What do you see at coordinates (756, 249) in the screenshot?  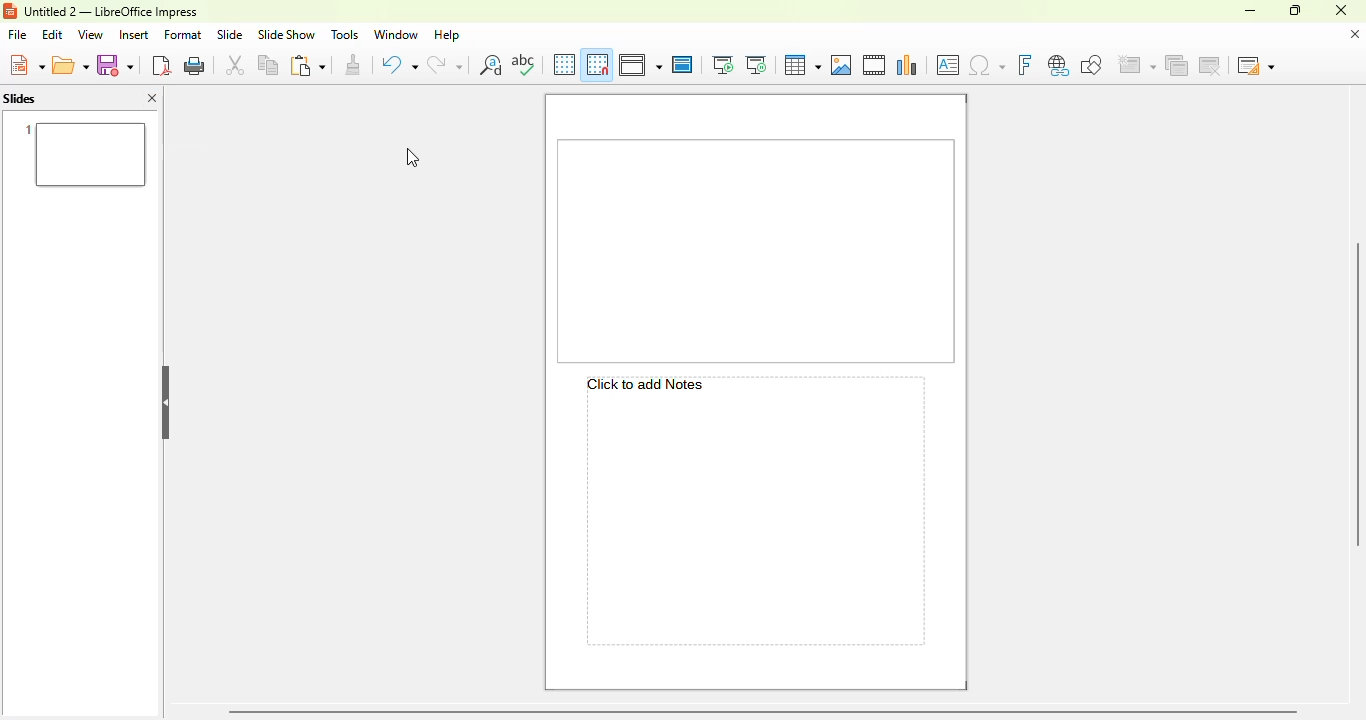 I see `slide 1` at bounding box center [756, 249].